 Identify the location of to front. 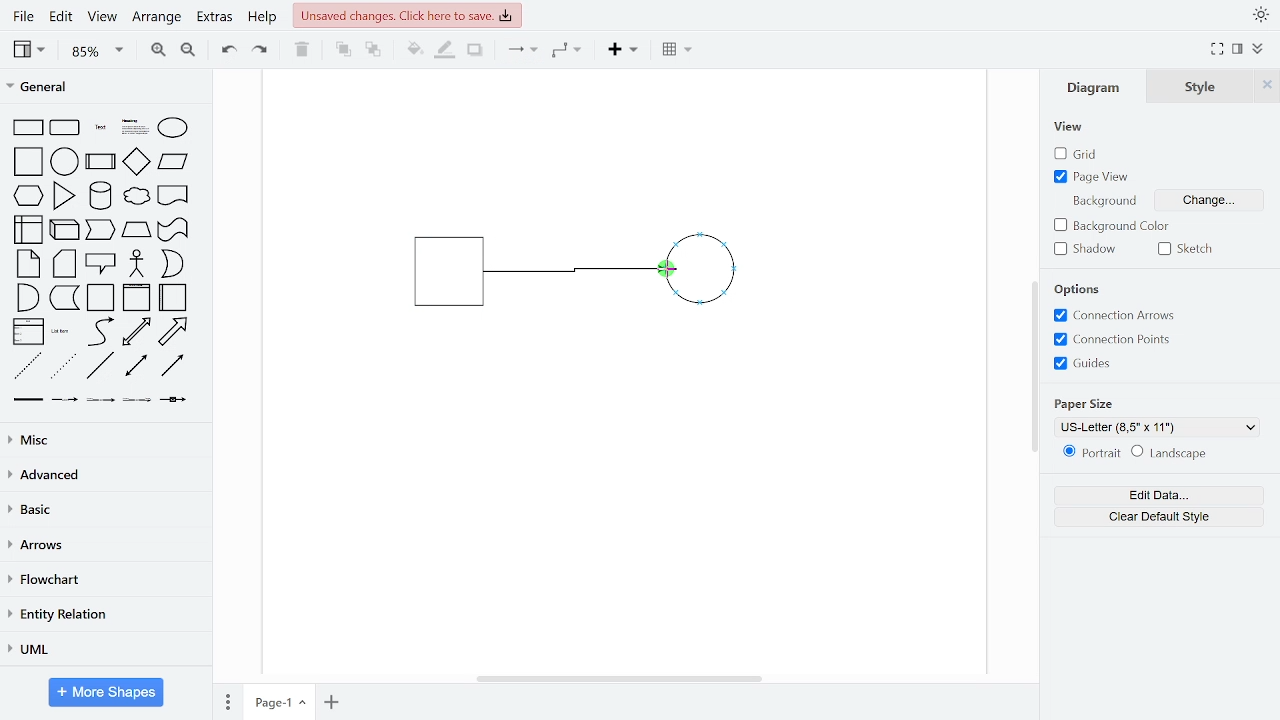
(343, 50).